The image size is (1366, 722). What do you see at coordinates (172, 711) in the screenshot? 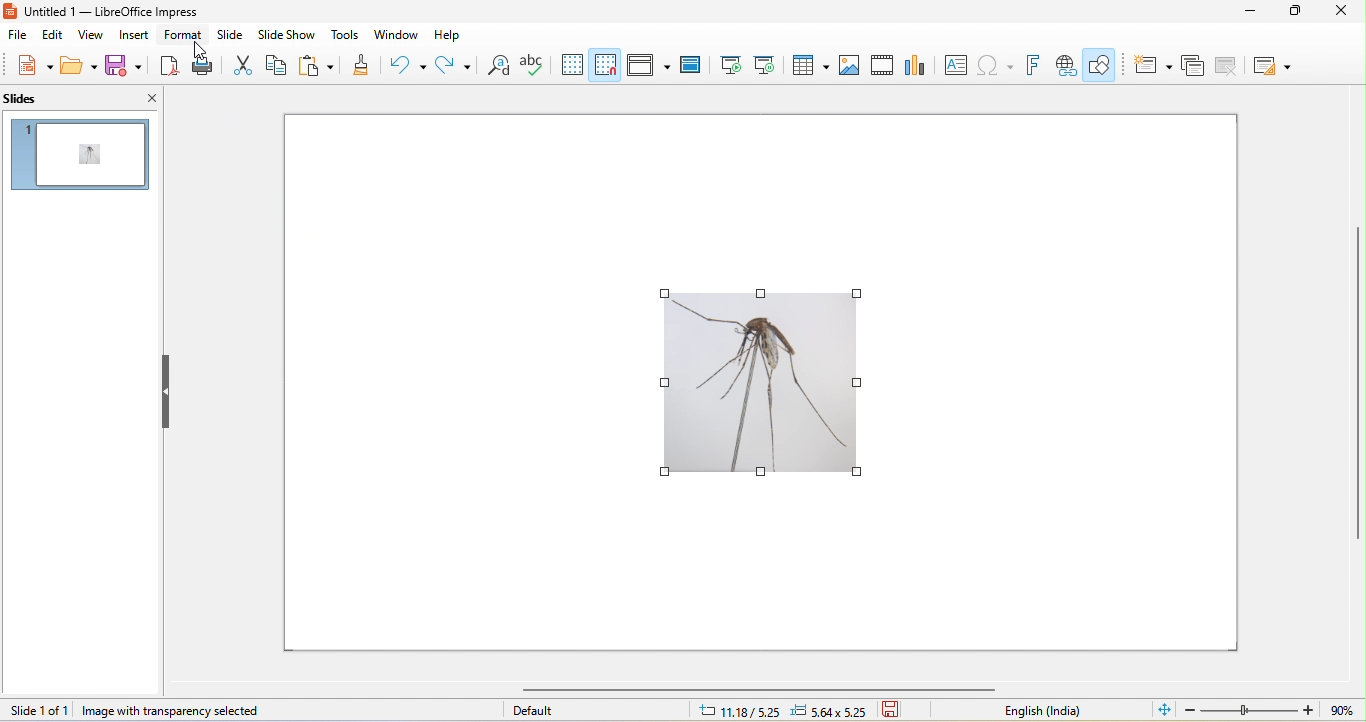
I see `image with transparency selected` at bounding box center [172, 711].